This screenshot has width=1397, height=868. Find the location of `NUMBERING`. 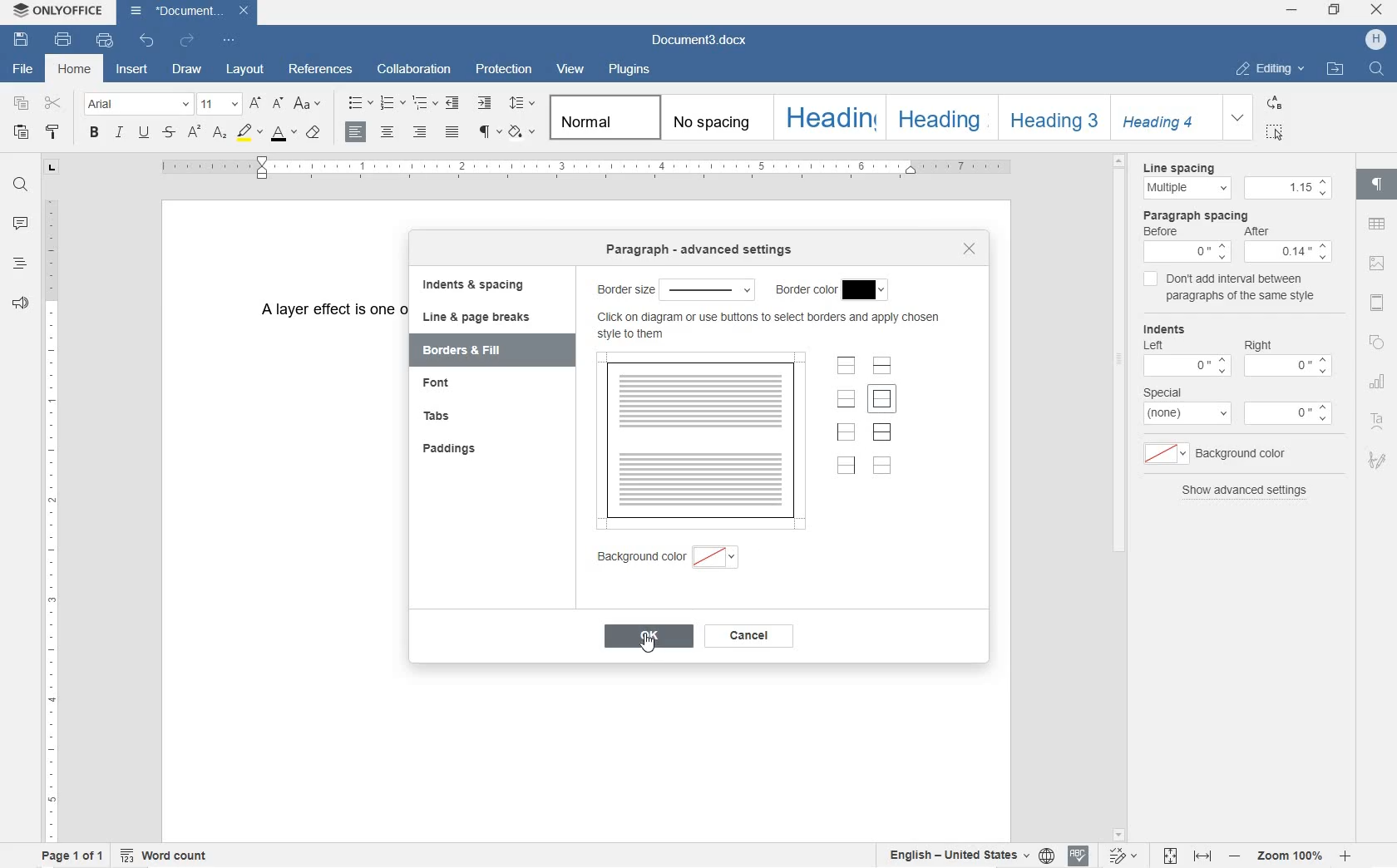

NUMBERING is located at coordinates (392, 101).